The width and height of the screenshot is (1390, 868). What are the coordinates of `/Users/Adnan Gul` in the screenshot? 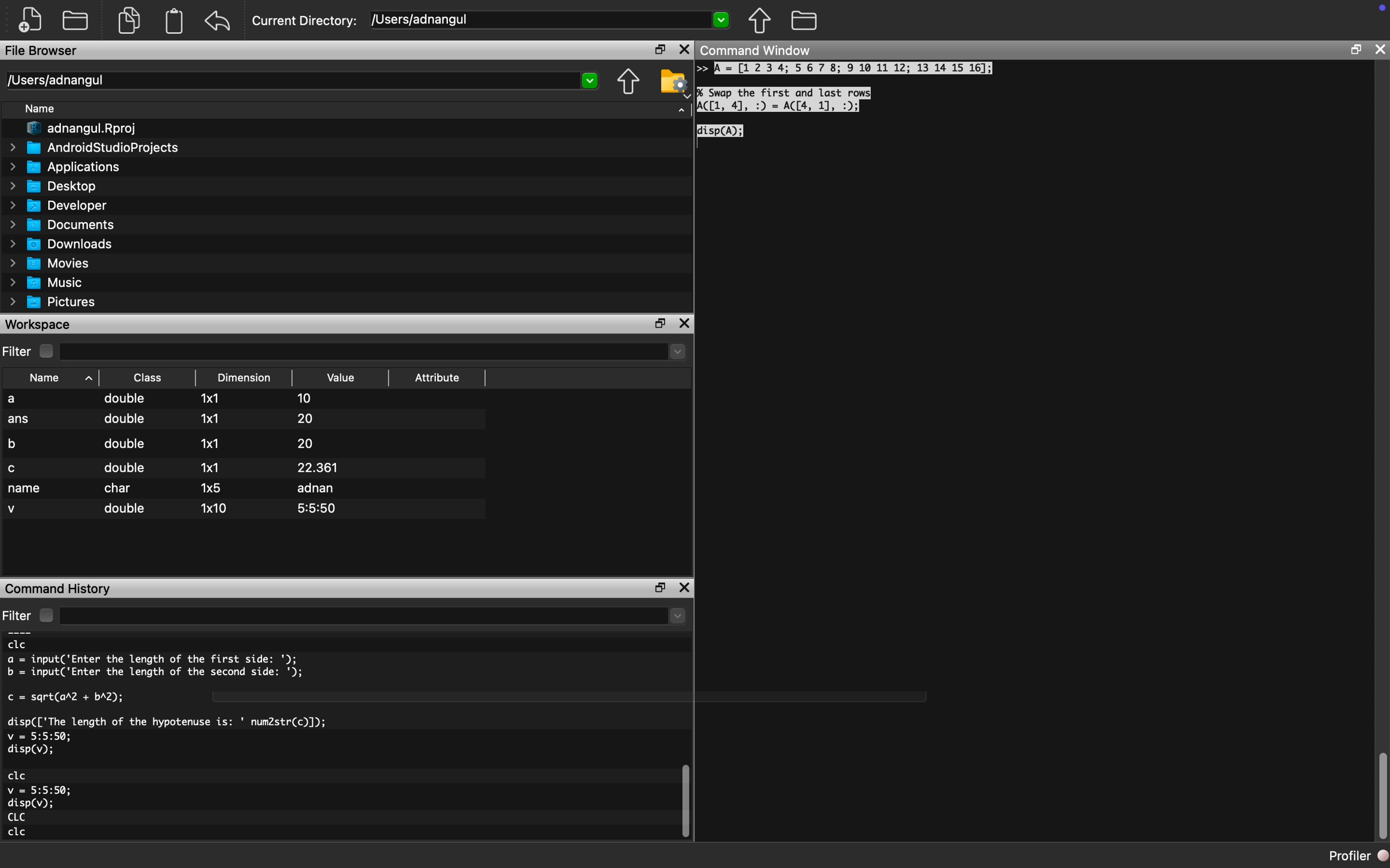 It's located at (289, 82).